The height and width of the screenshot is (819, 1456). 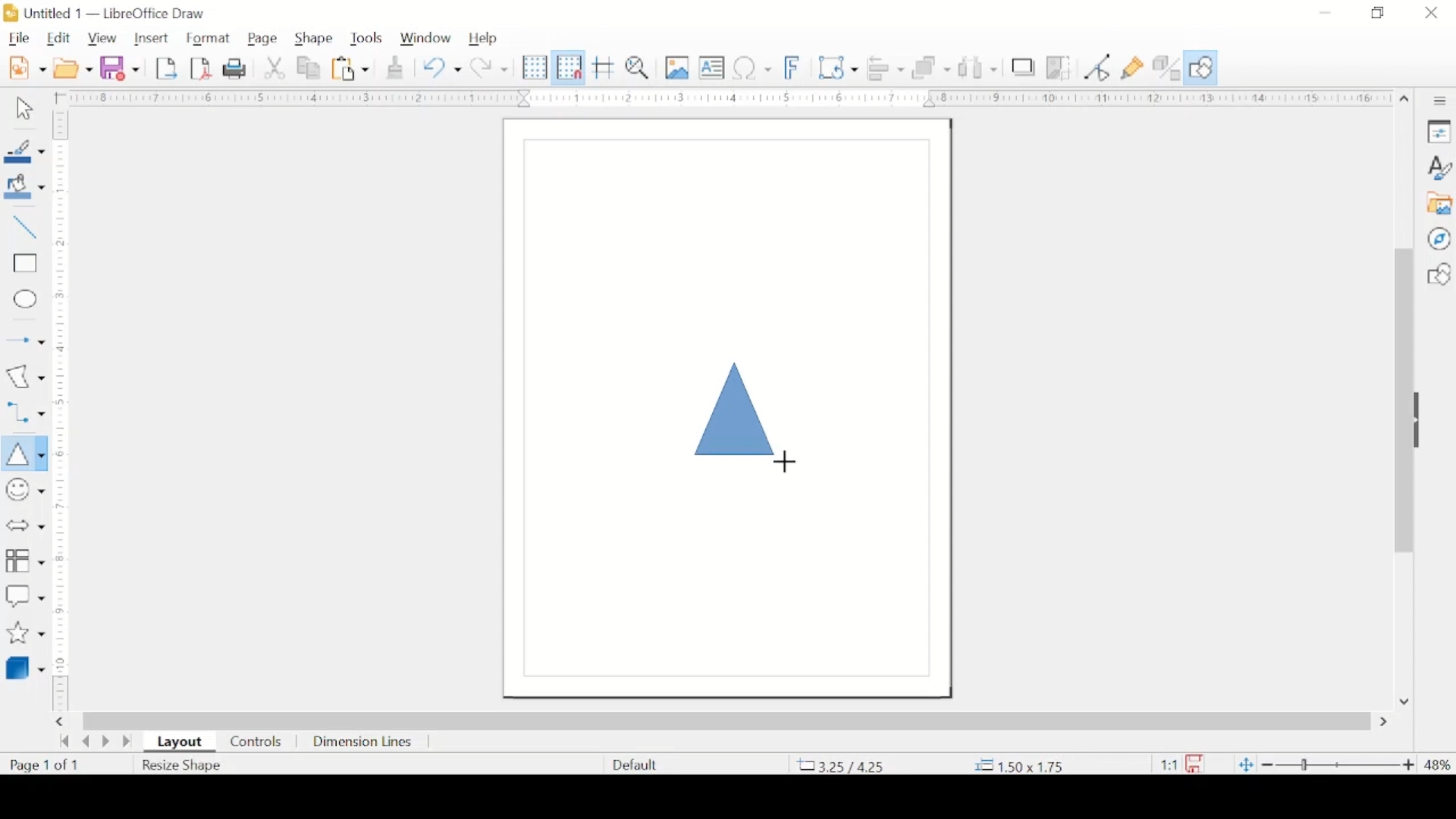 I want to click on cut, so click(x=275, y=68).